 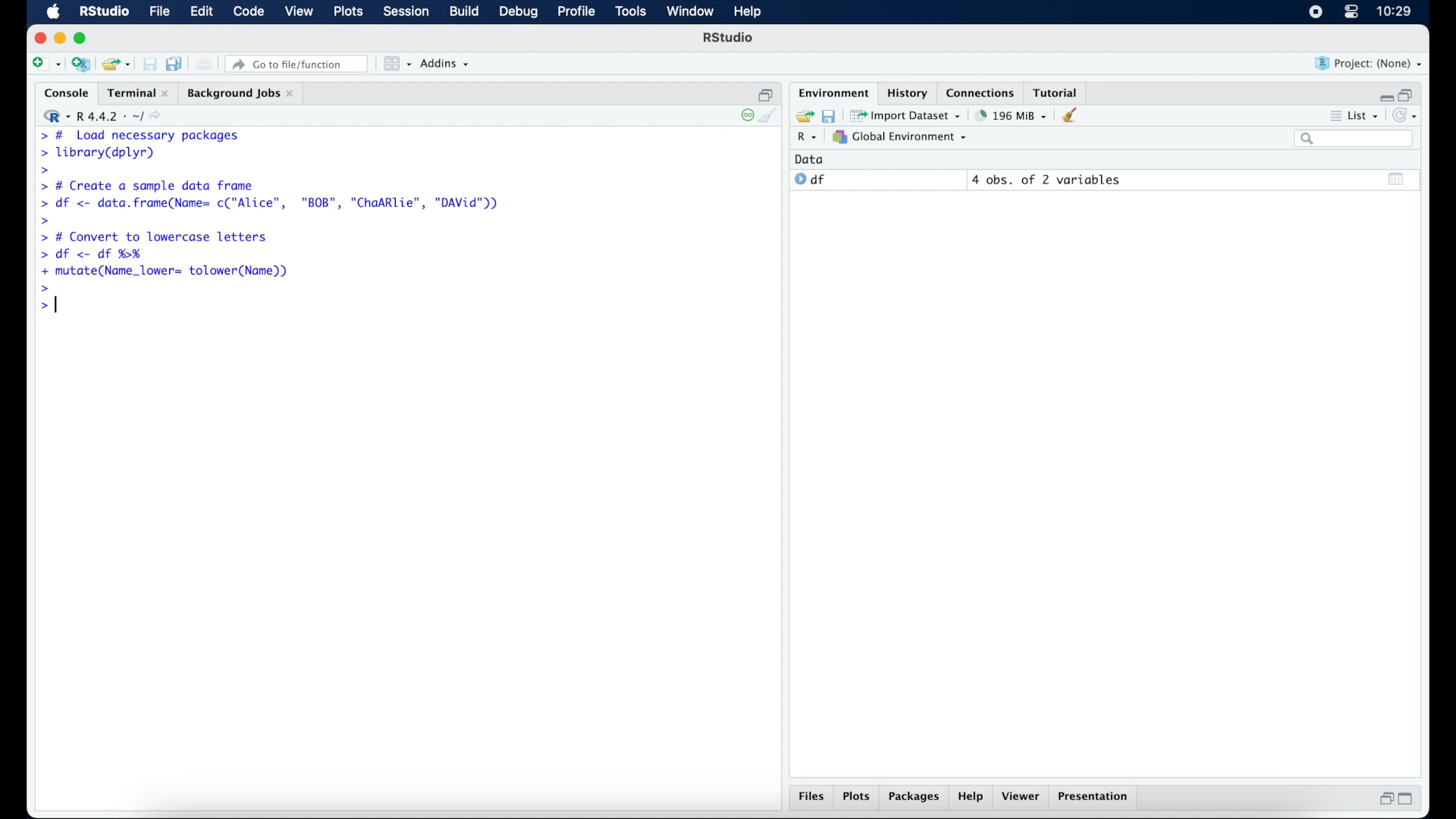 What do you see at coordinates (971, 799) in the screenshot?
I see `help` at bounding box center [971, 799].